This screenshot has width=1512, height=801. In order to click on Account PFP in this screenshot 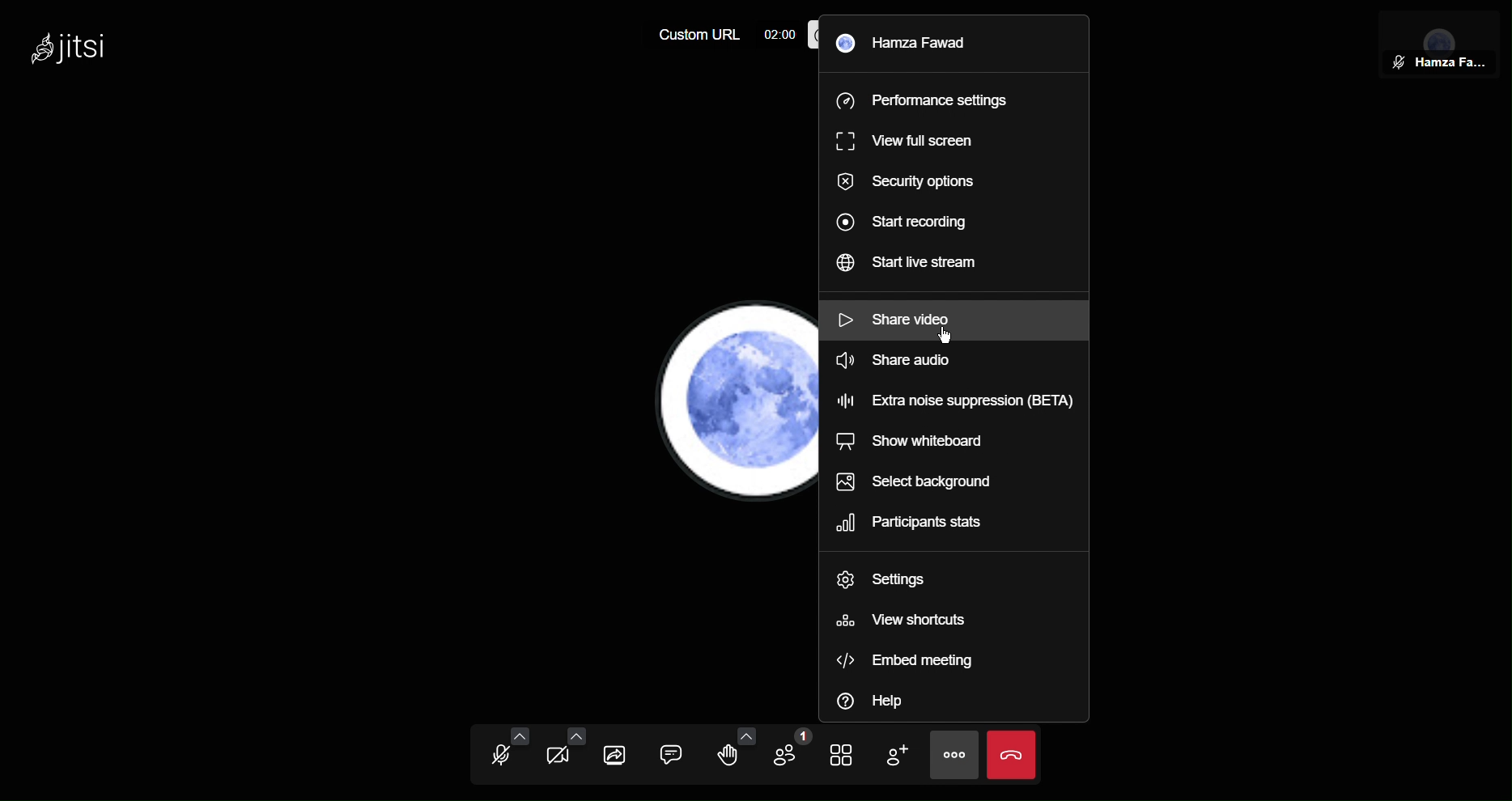, I will do `click(716, 408)`.